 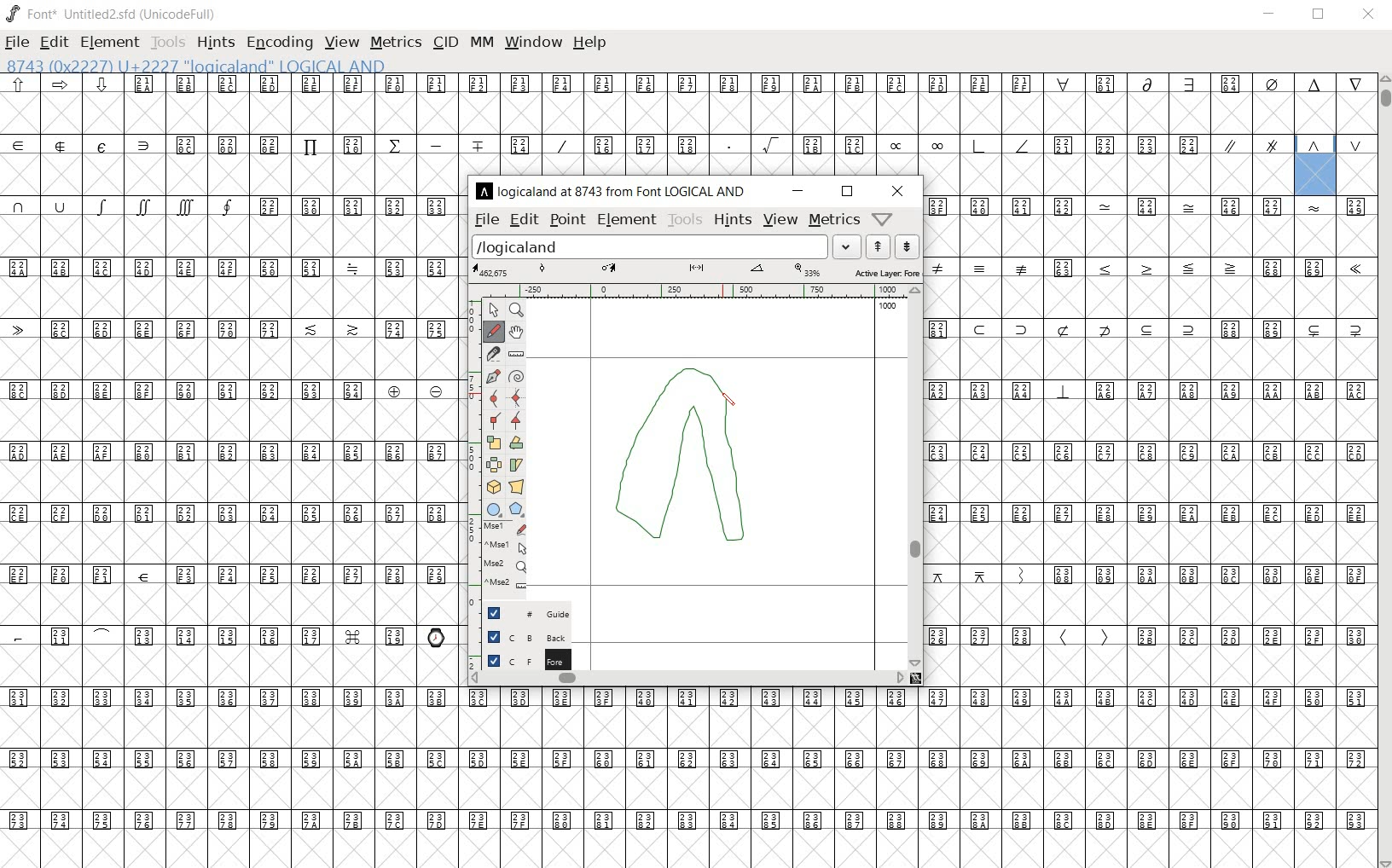 I want to click on POINTER, so click(x=495, y=311).